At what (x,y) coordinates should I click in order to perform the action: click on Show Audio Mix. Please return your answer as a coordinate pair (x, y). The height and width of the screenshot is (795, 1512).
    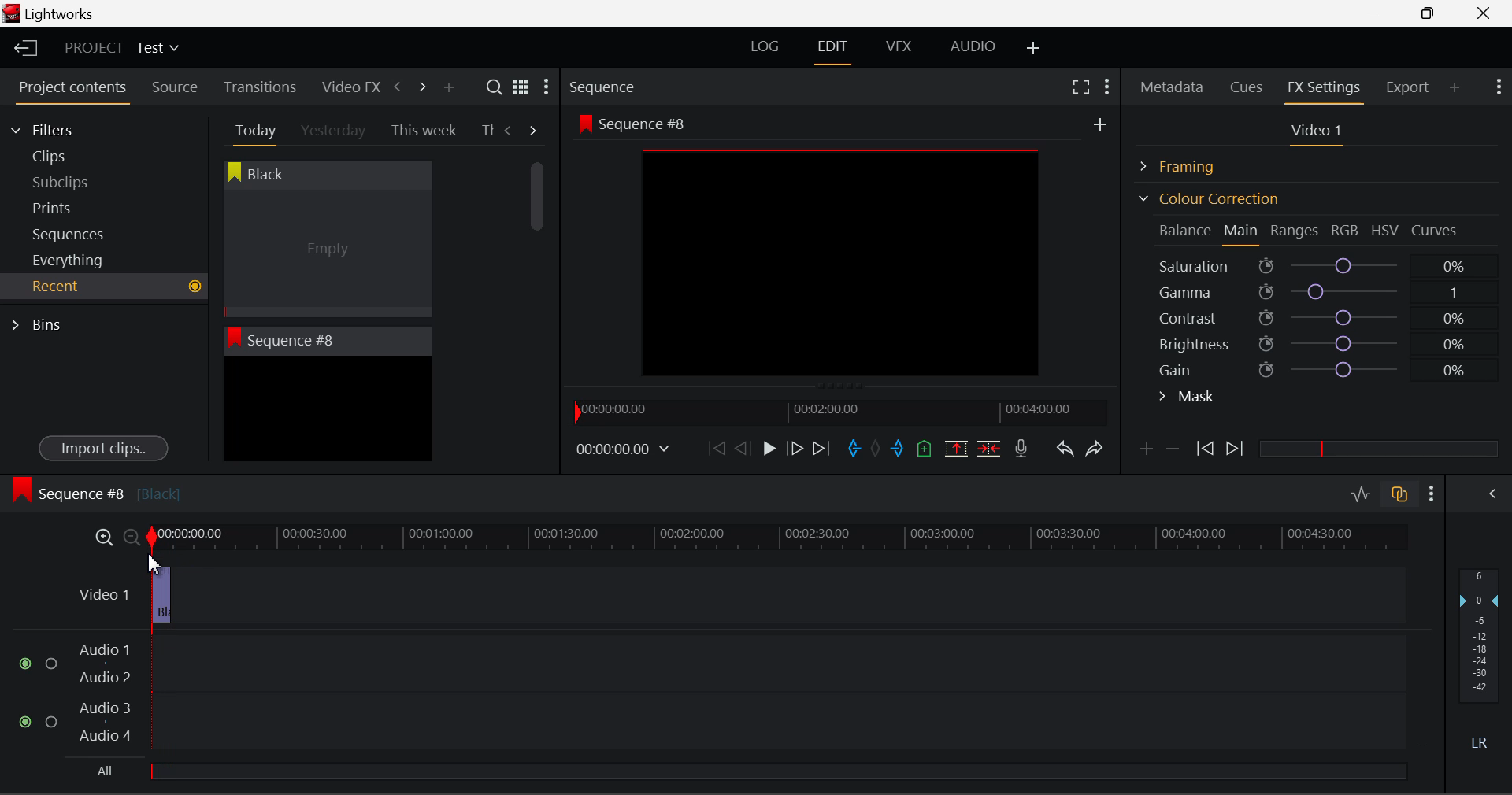
    Looking at the image, I should click on (1494, 492).